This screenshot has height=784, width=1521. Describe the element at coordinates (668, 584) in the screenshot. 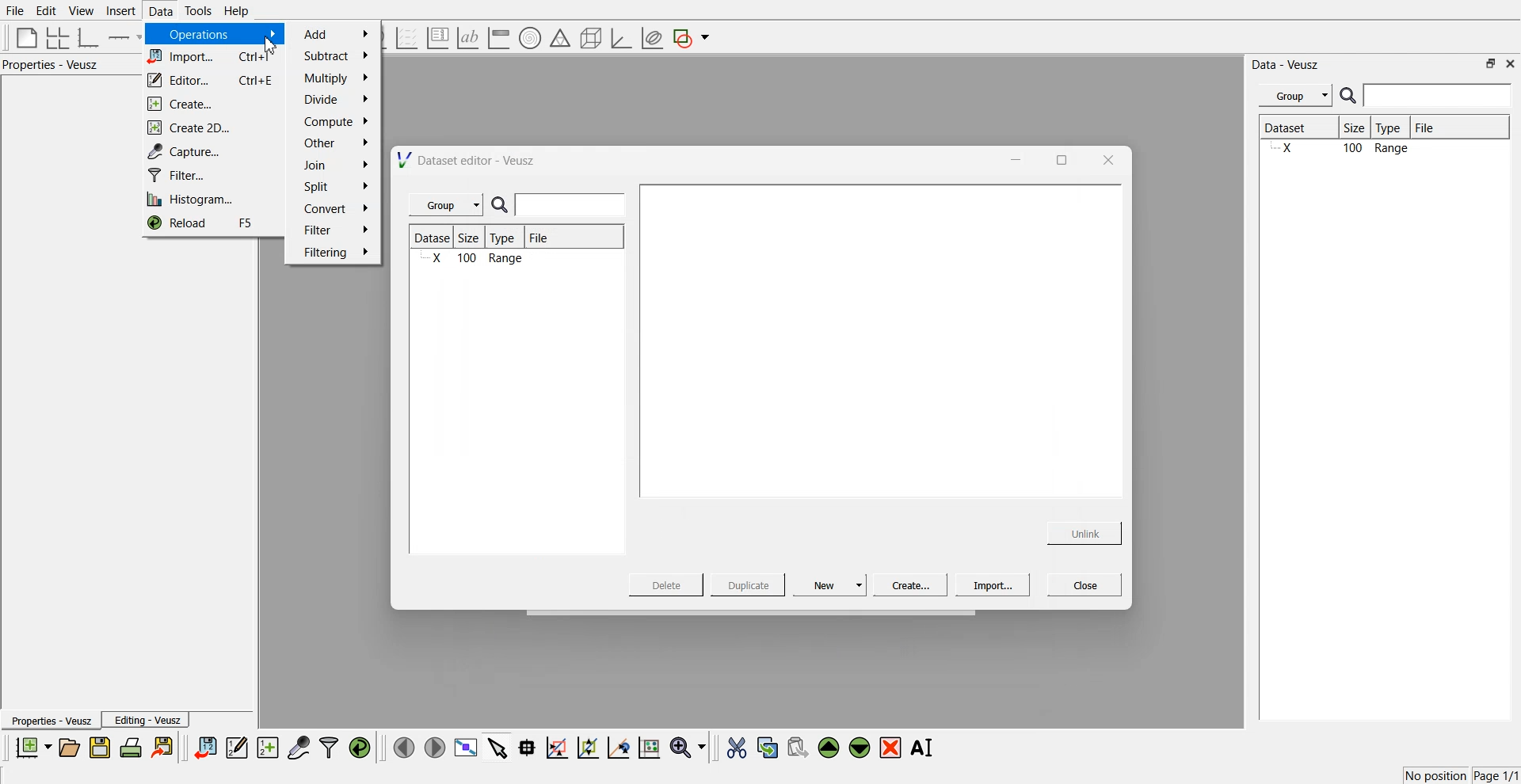

I see `Delete` at that location.